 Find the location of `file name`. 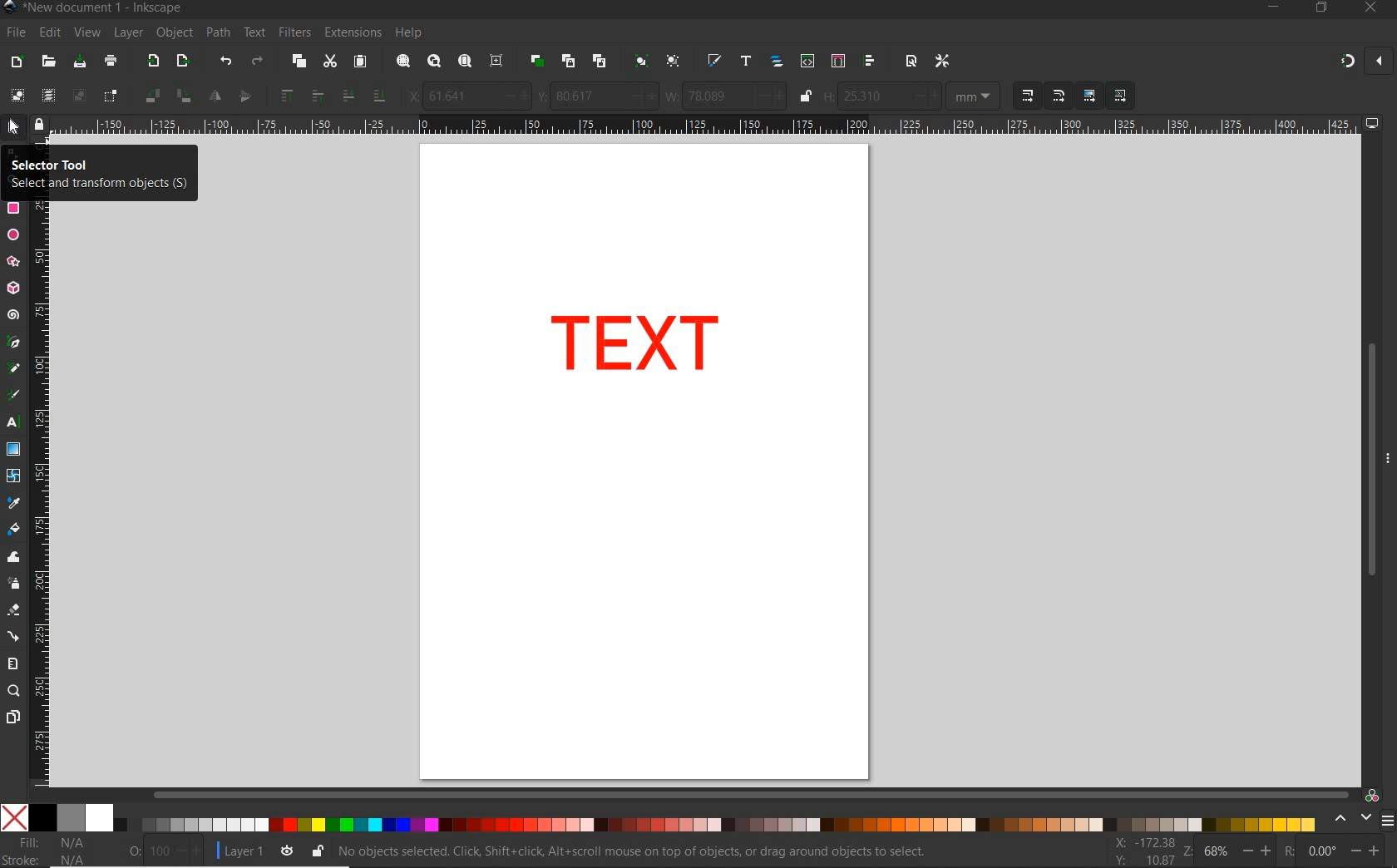

file name is located at coordinates (93, 7).